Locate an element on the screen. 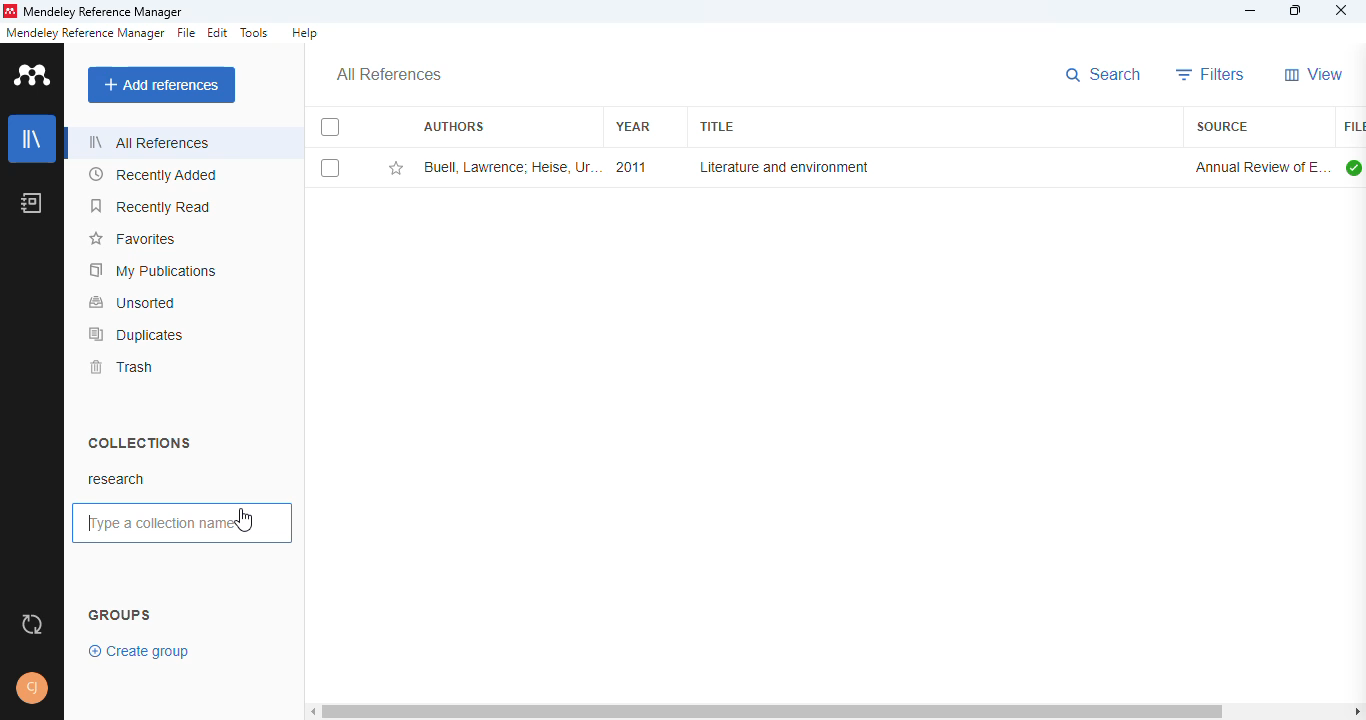  annual review of environment and resources is located at coordinates (1261, 167).